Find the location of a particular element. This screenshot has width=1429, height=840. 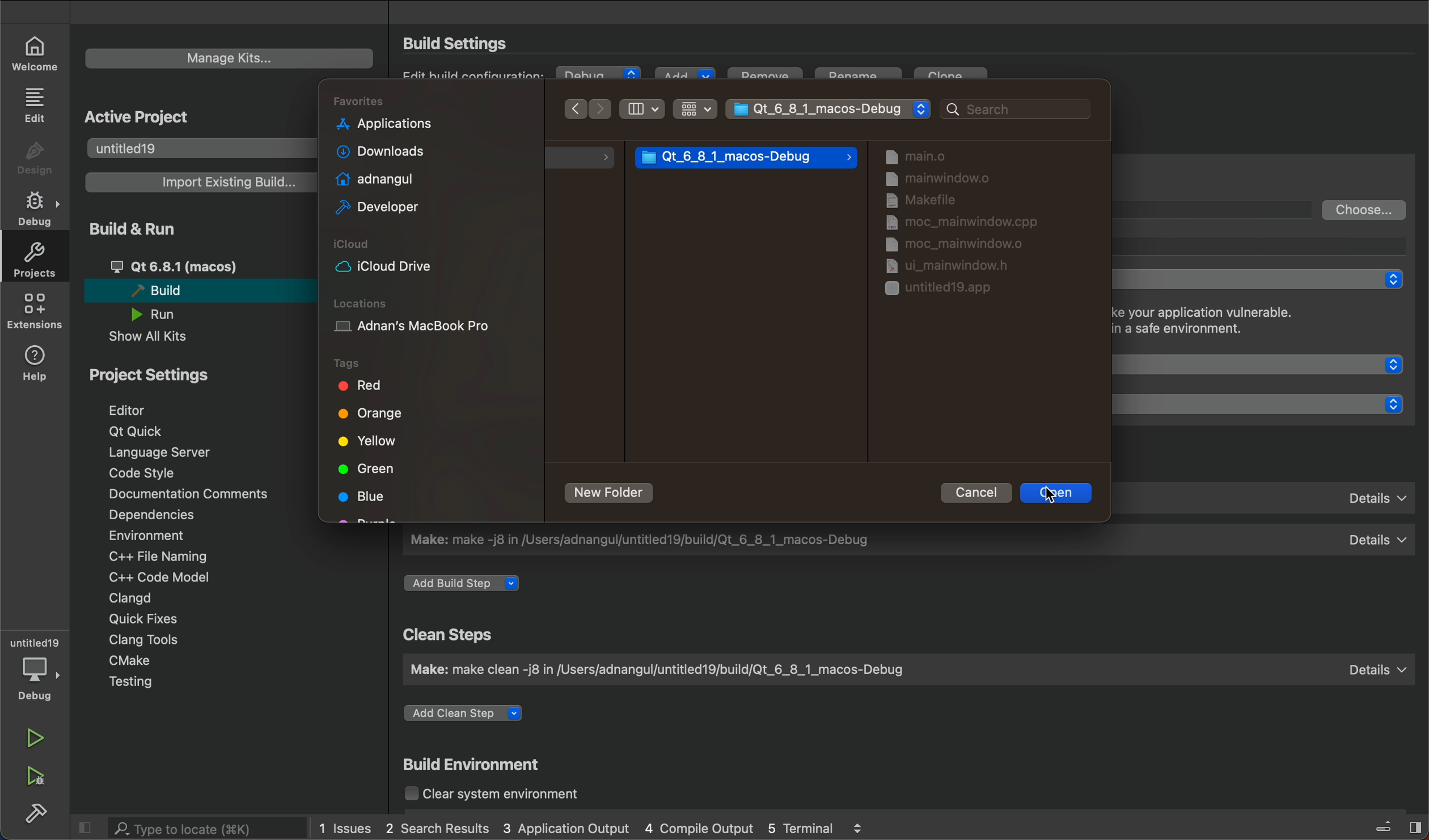

build setting is located at coordinates (460, 43).